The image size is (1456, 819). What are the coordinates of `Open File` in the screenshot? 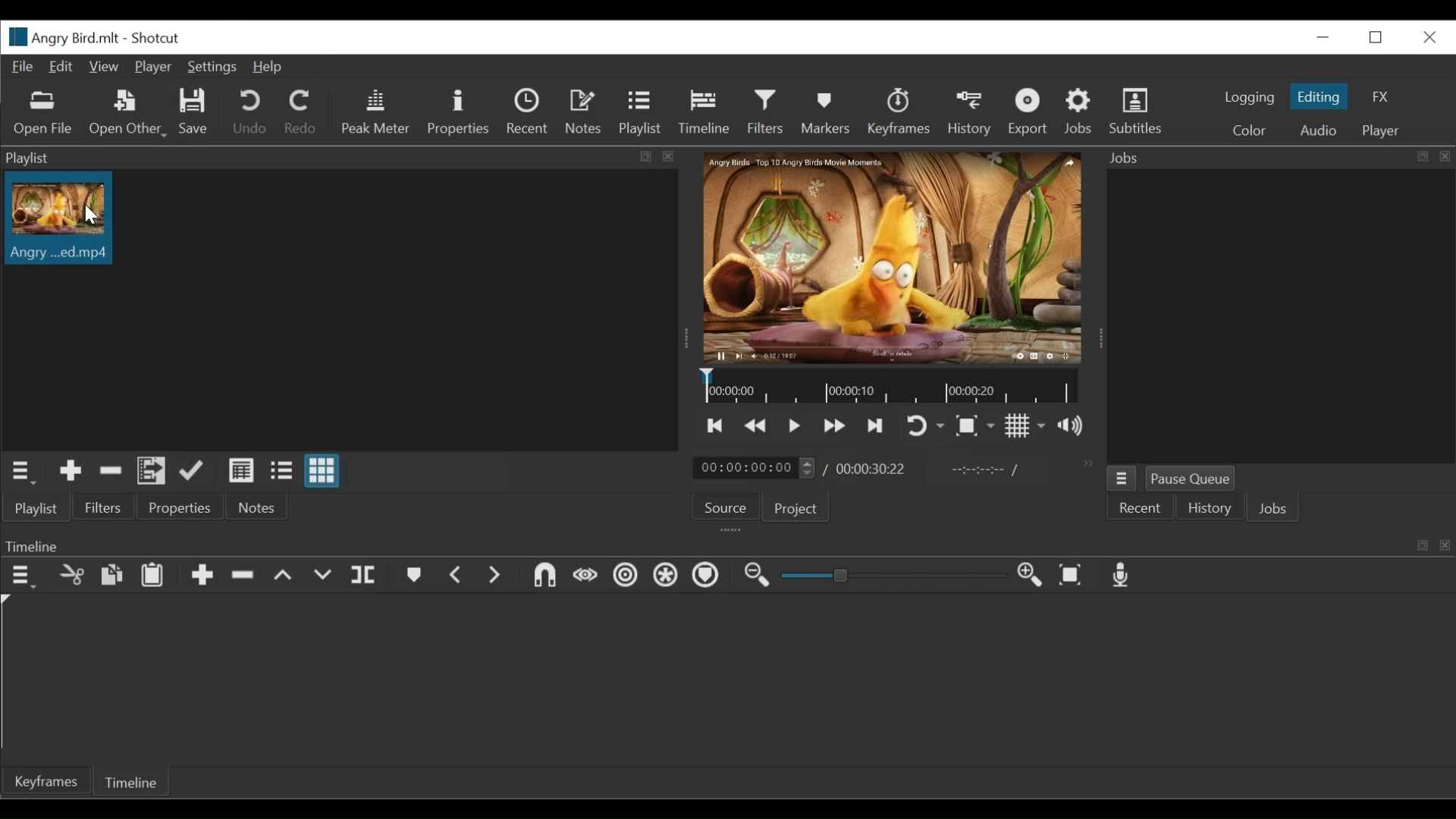 It's located at (39, 112).